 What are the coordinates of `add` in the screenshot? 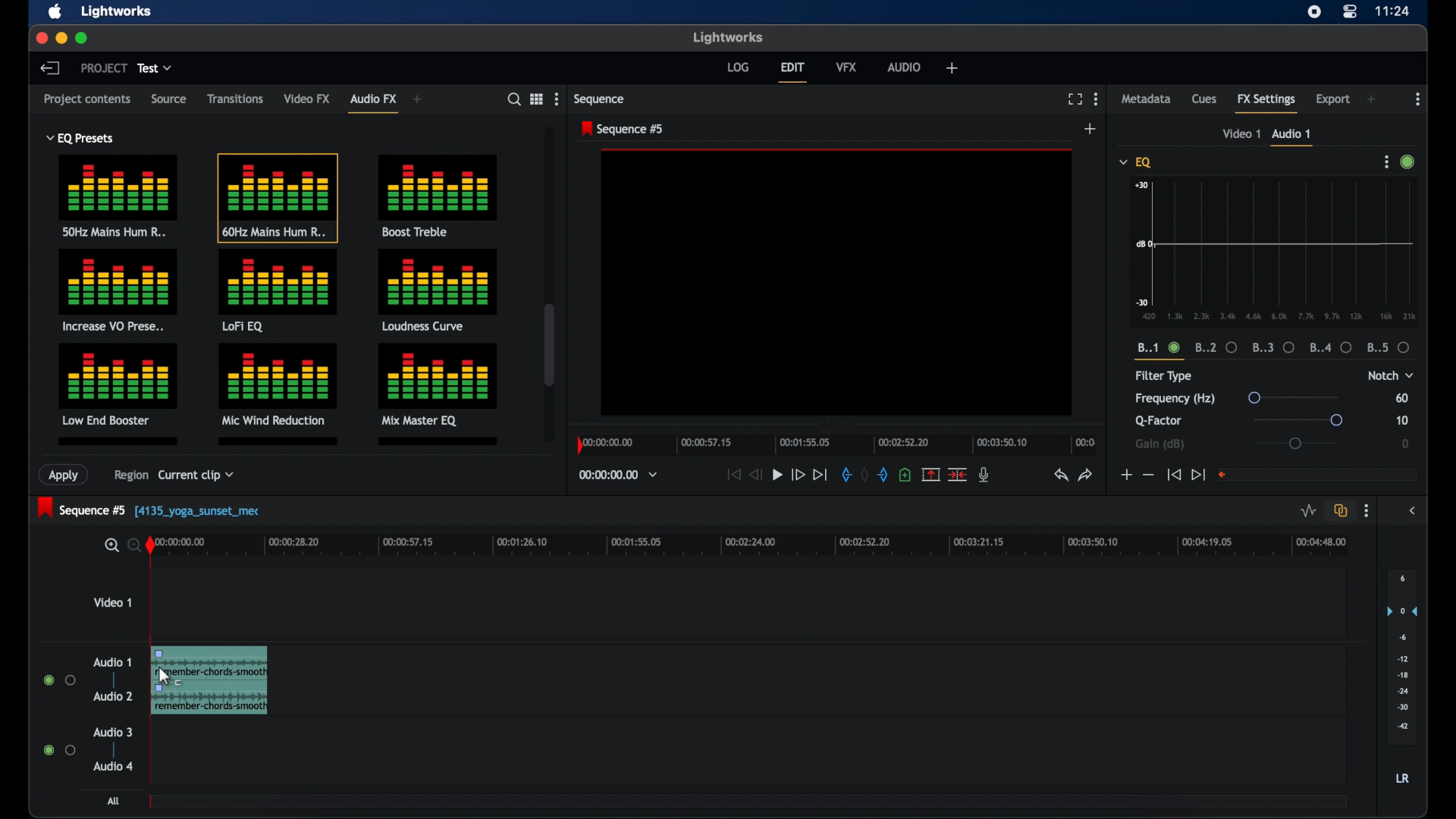 It's located at (952, 67).